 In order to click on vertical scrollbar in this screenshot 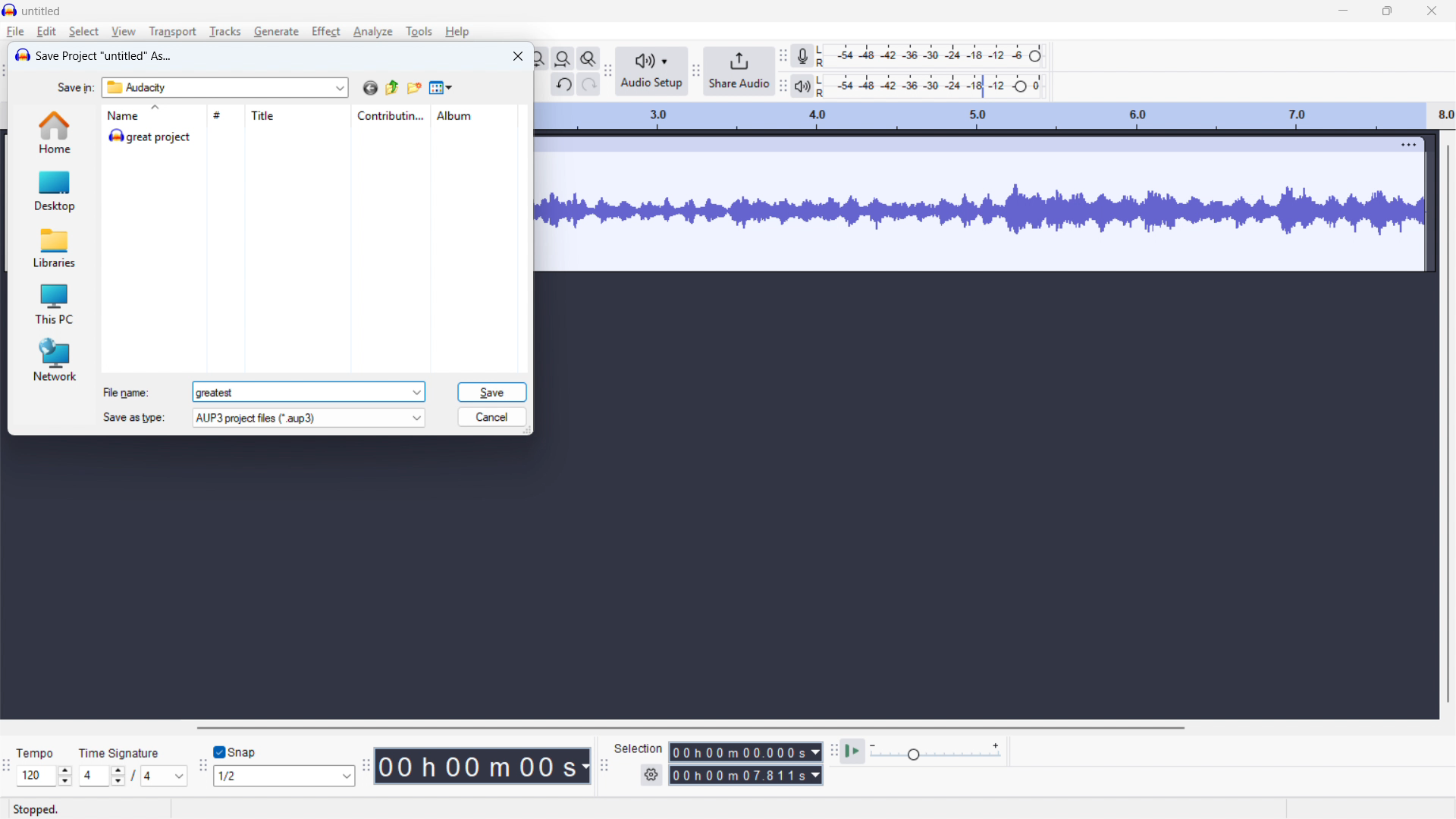, I will do `click(1447, 422)`.